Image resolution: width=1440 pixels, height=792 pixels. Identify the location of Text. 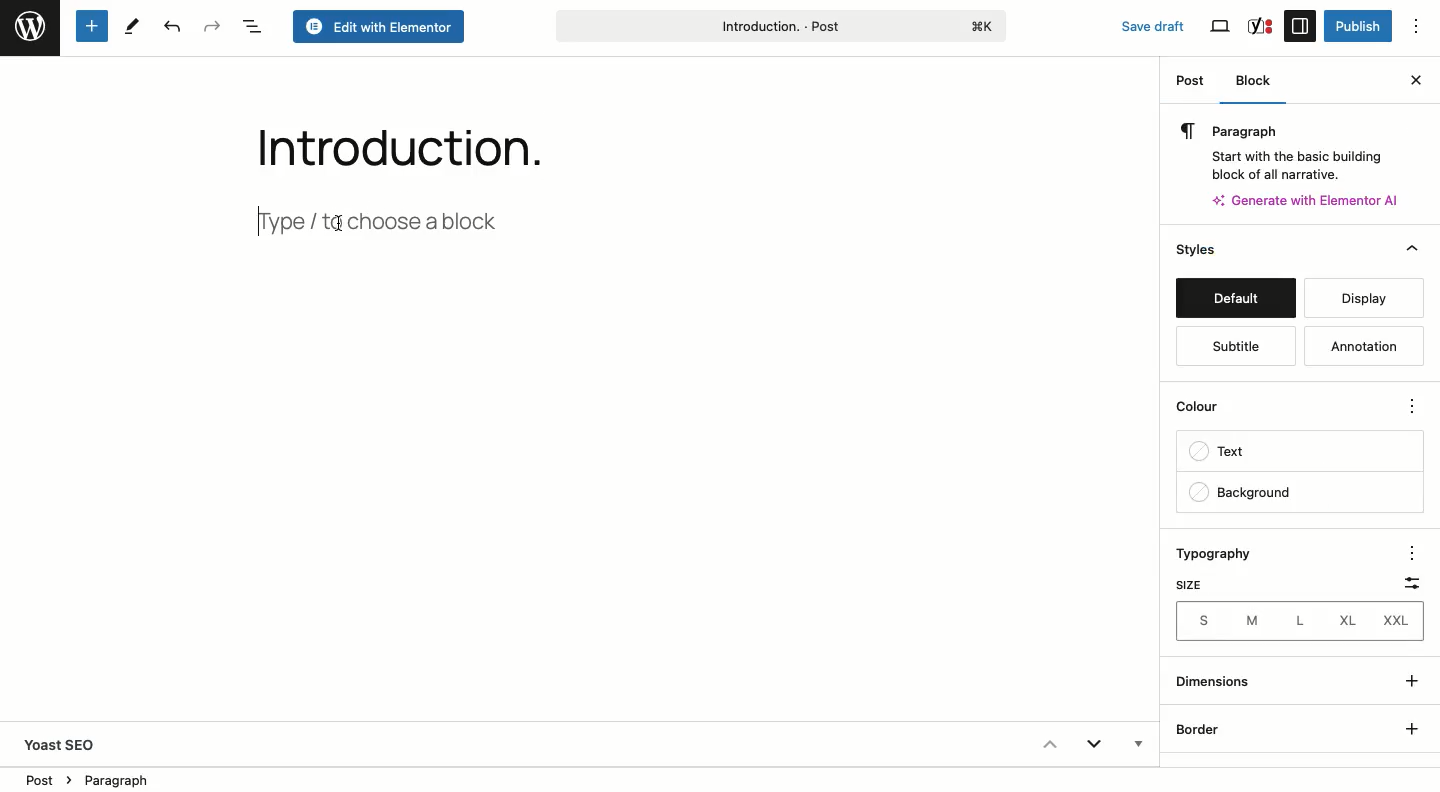
(1225, 454).